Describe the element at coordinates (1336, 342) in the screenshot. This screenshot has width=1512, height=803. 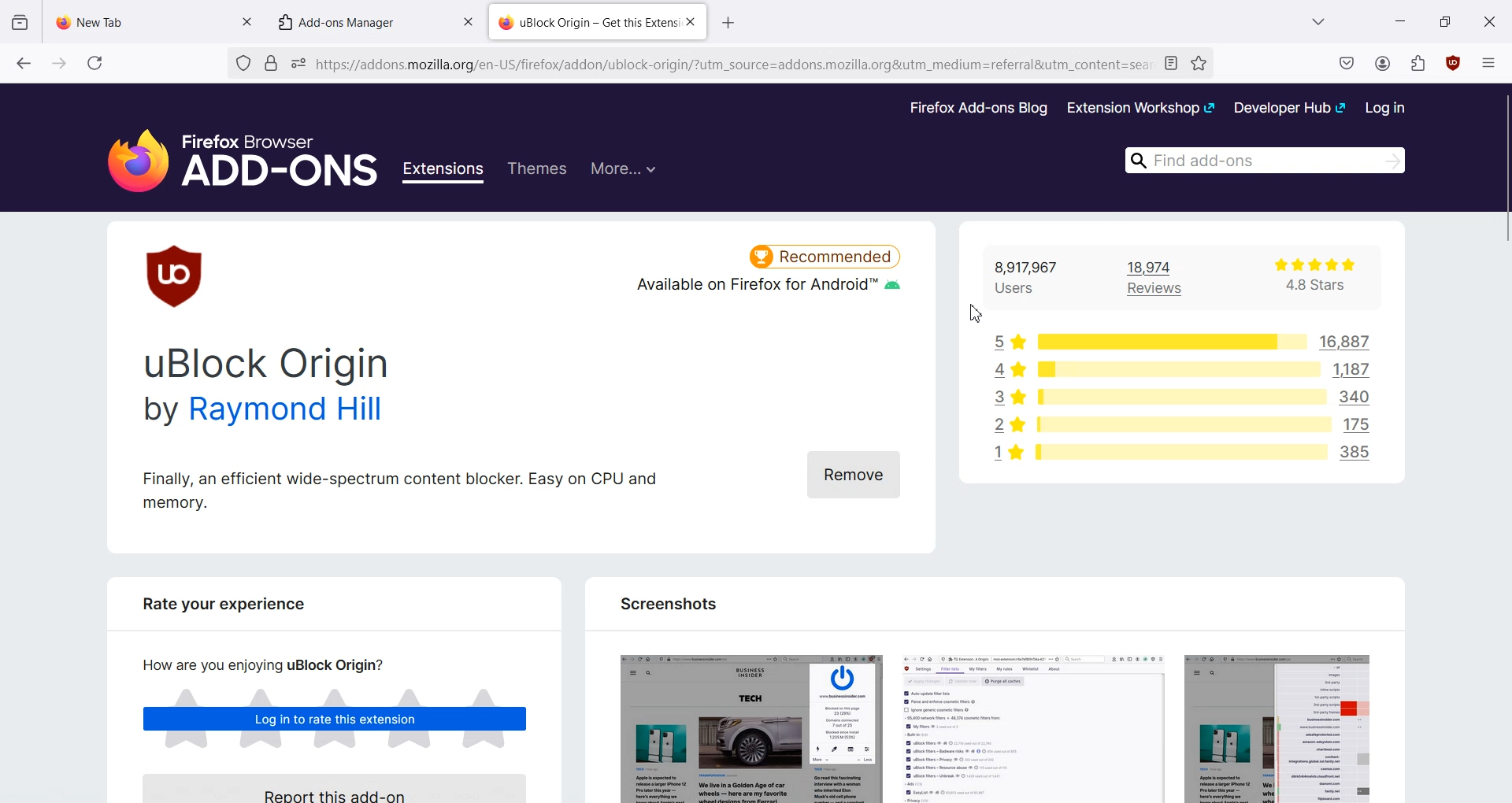
I see `16,887 users` at that location.